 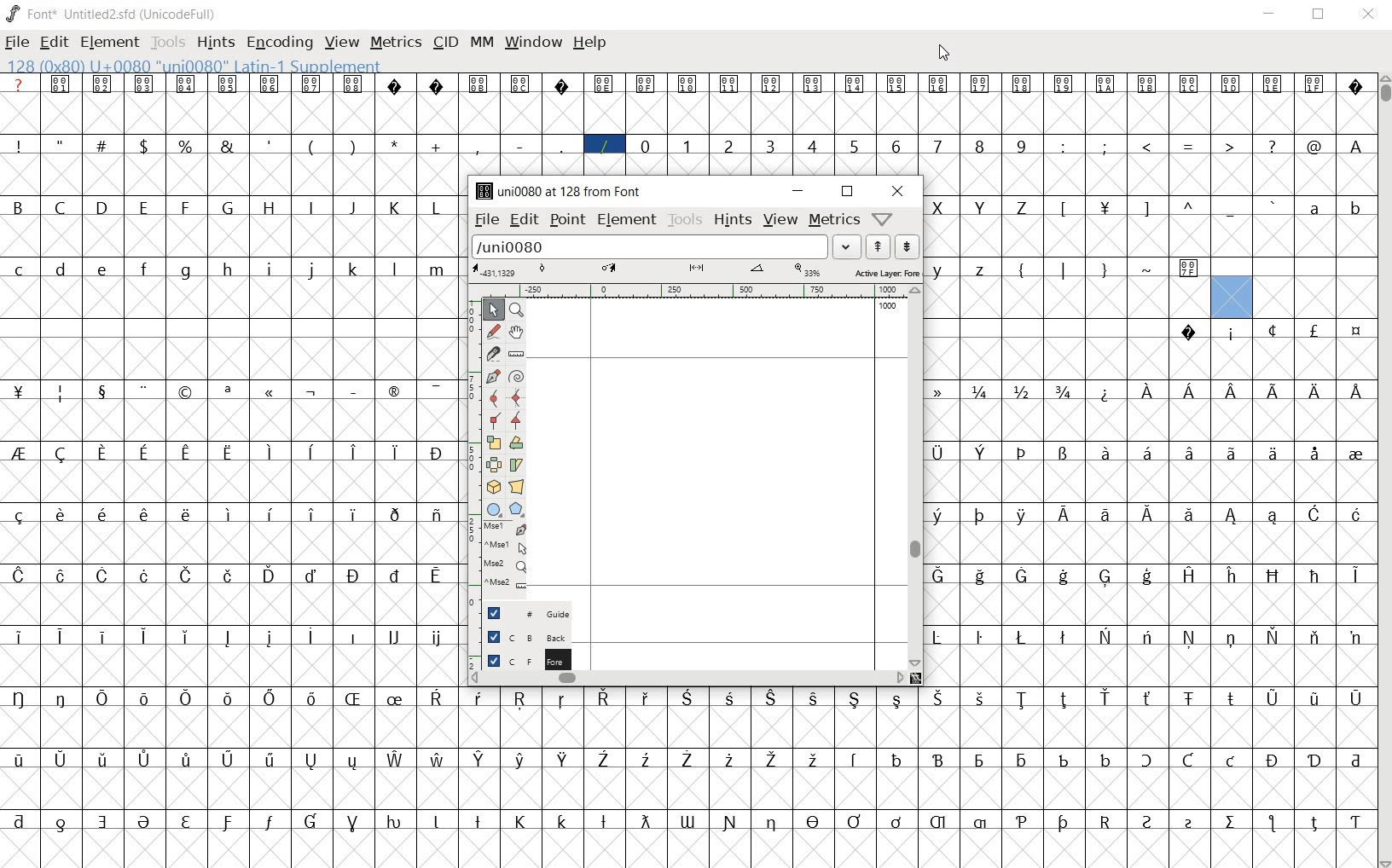 I want to click on glyph, so click(x=979, y=761).